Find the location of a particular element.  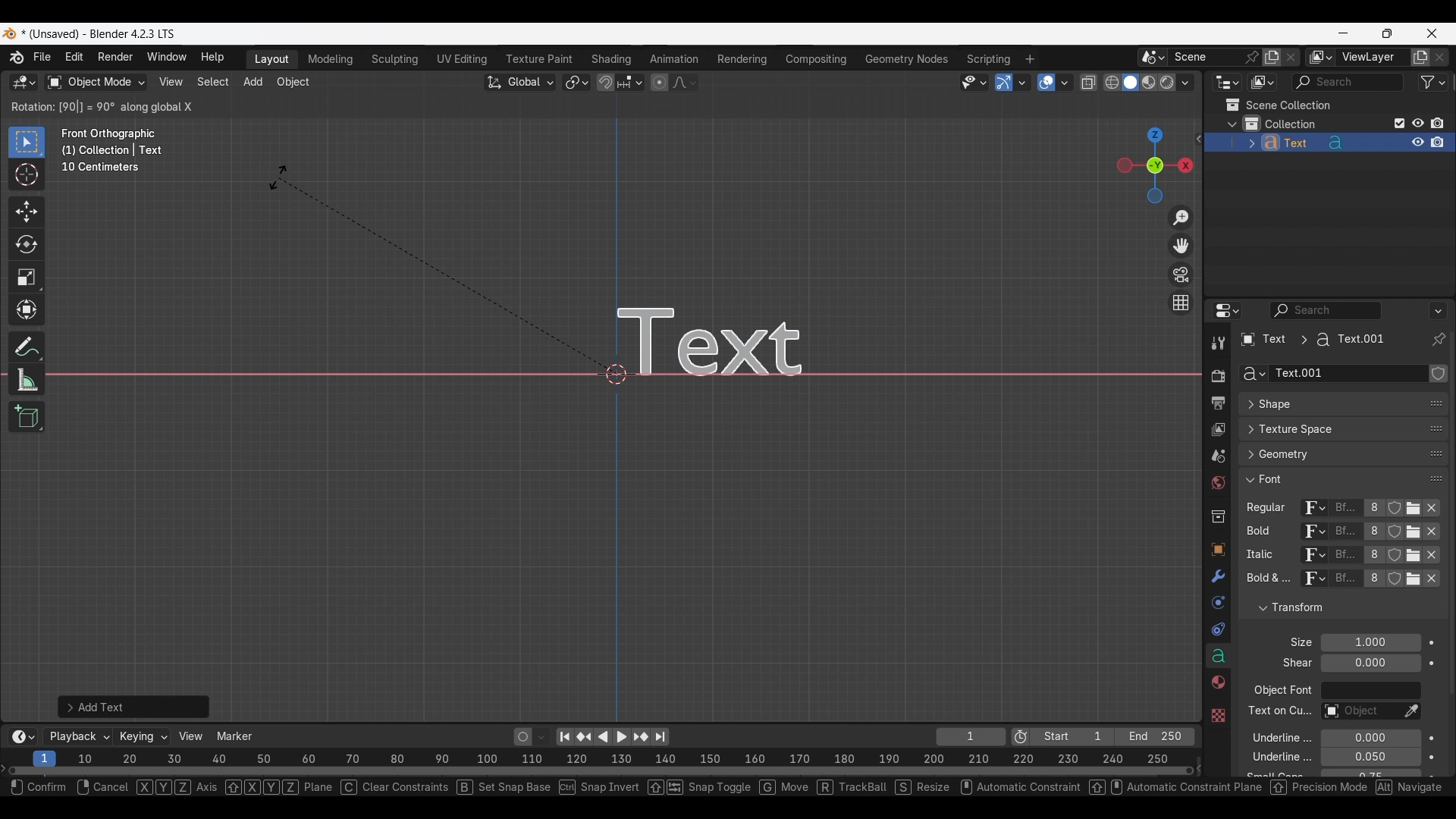

Eyedropper data-block is located at coordinates (1429, 399).